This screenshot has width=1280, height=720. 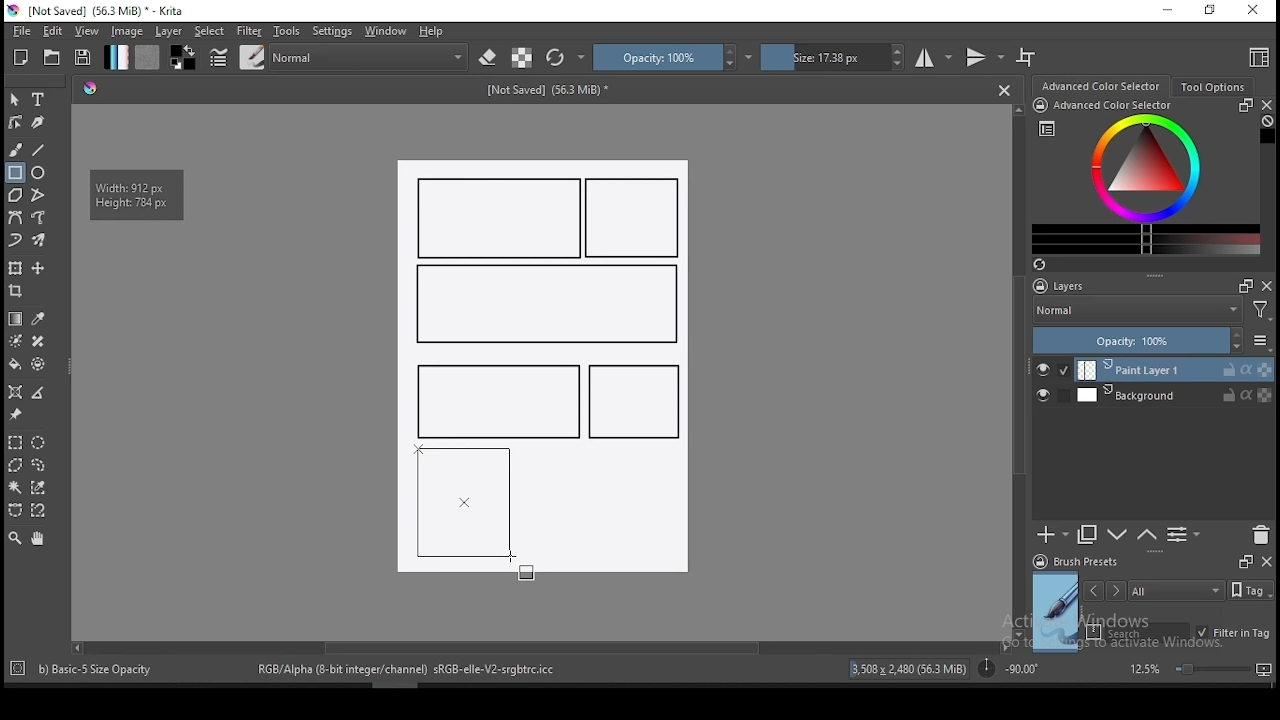 What do you see at coordinates (15, 121) in the screenshot?
I see `edit shapes tool` at bounding box center [15, 121].